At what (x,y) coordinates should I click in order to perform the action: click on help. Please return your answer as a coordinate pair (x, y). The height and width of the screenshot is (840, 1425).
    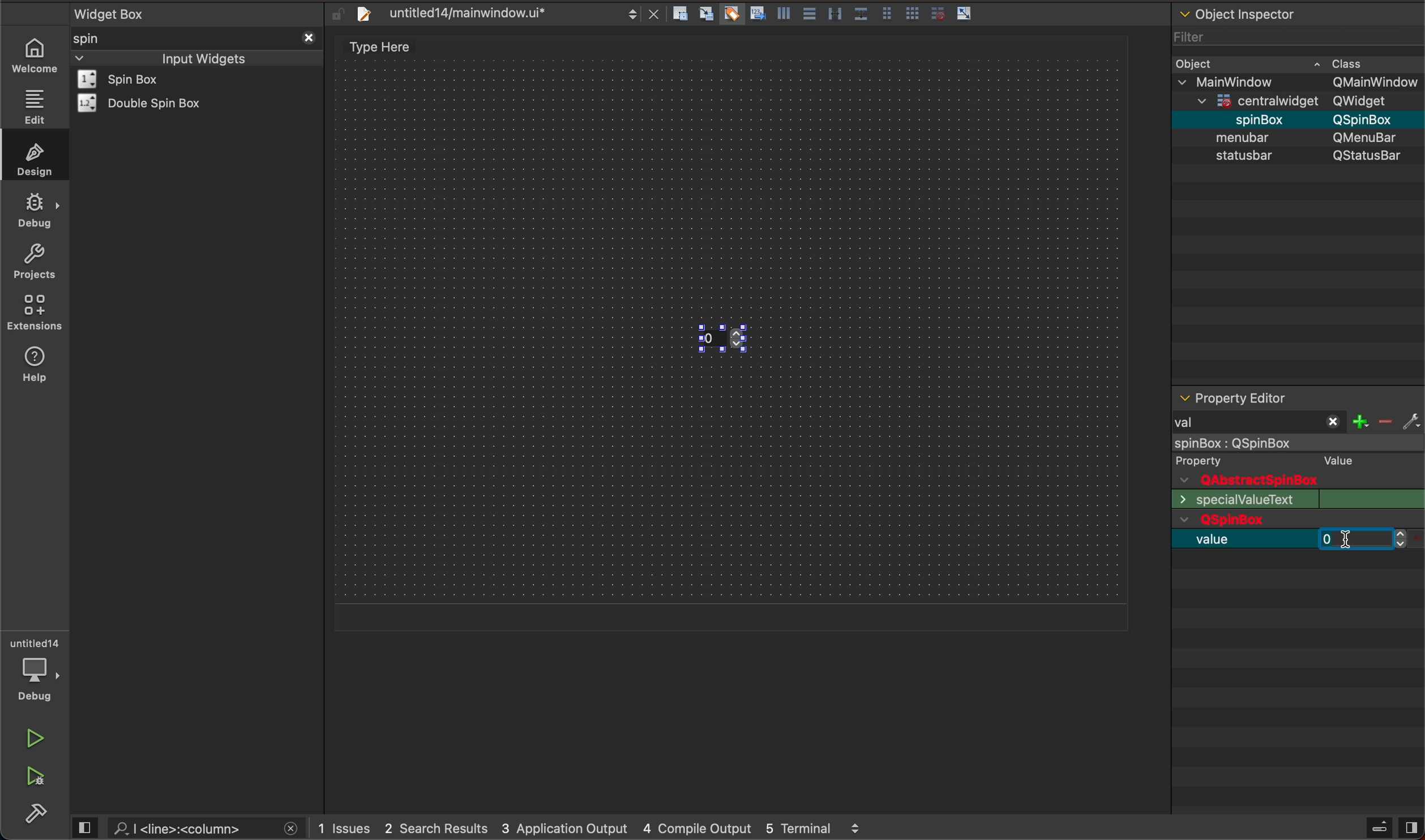
    Looking at the image, I should click on (40, 371).